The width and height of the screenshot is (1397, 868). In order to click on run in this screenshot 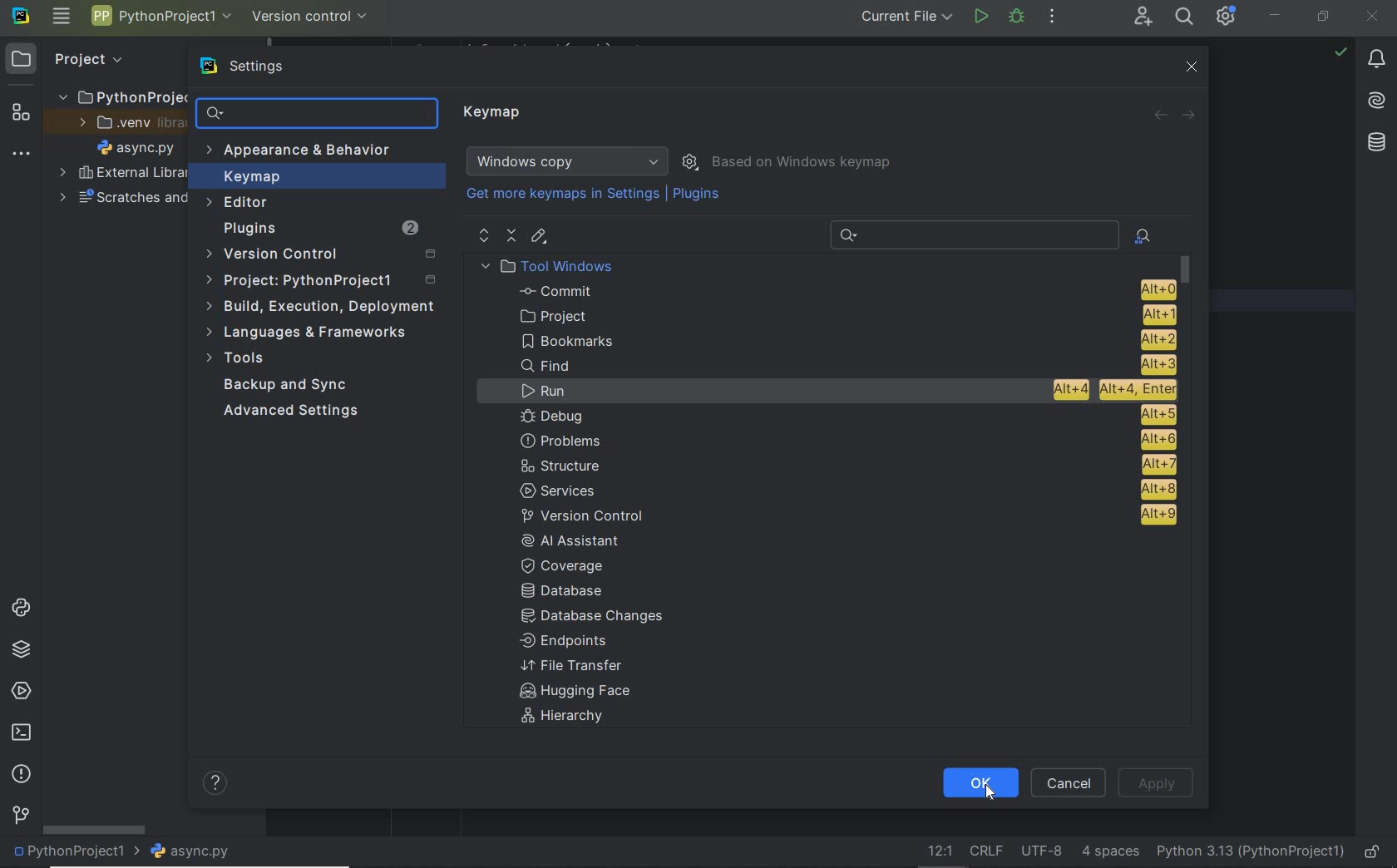, I will do `click(980, 18)`.